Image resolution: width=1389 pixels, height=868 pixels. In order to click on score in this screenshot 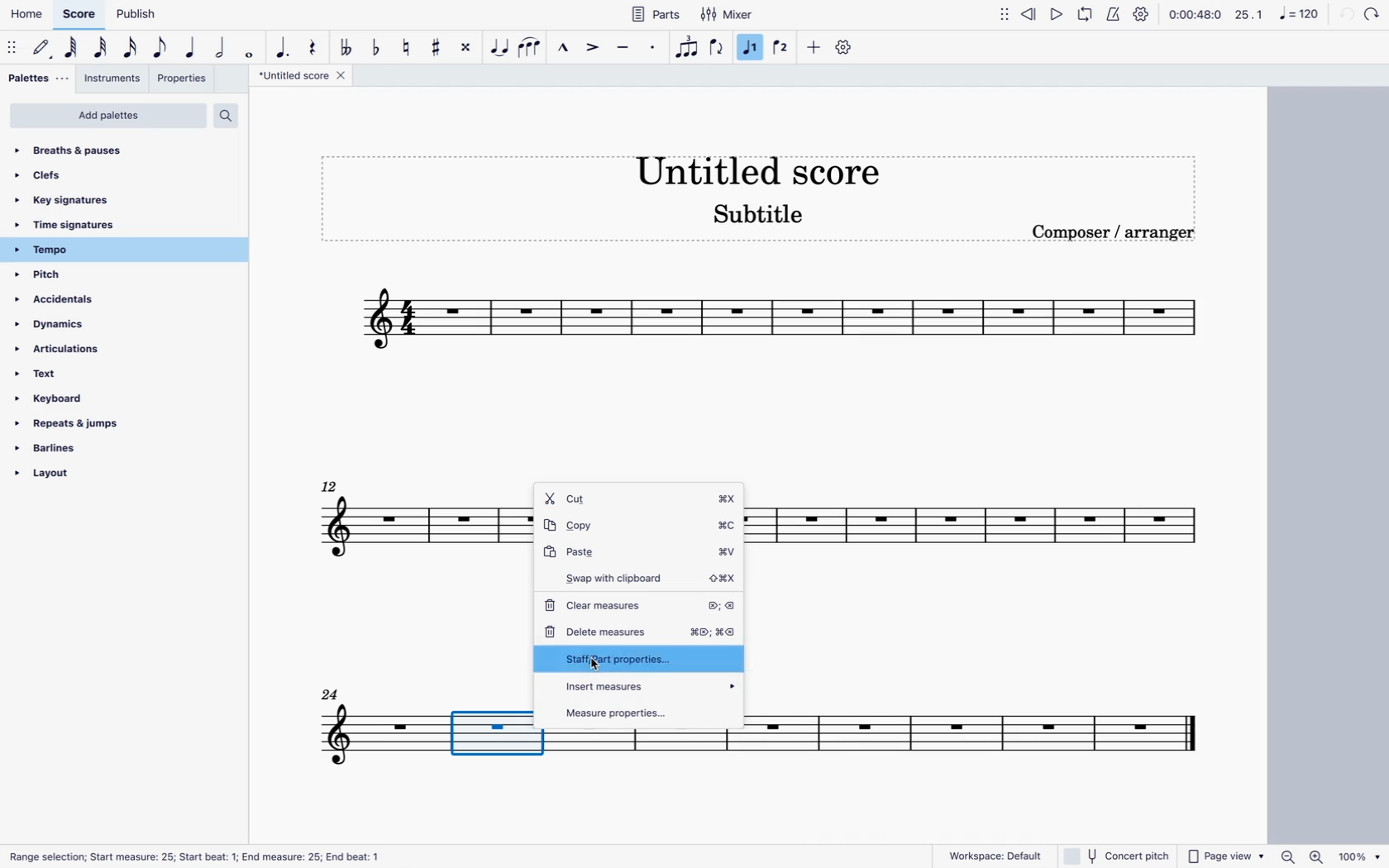, I will do `click(79, 18)`.